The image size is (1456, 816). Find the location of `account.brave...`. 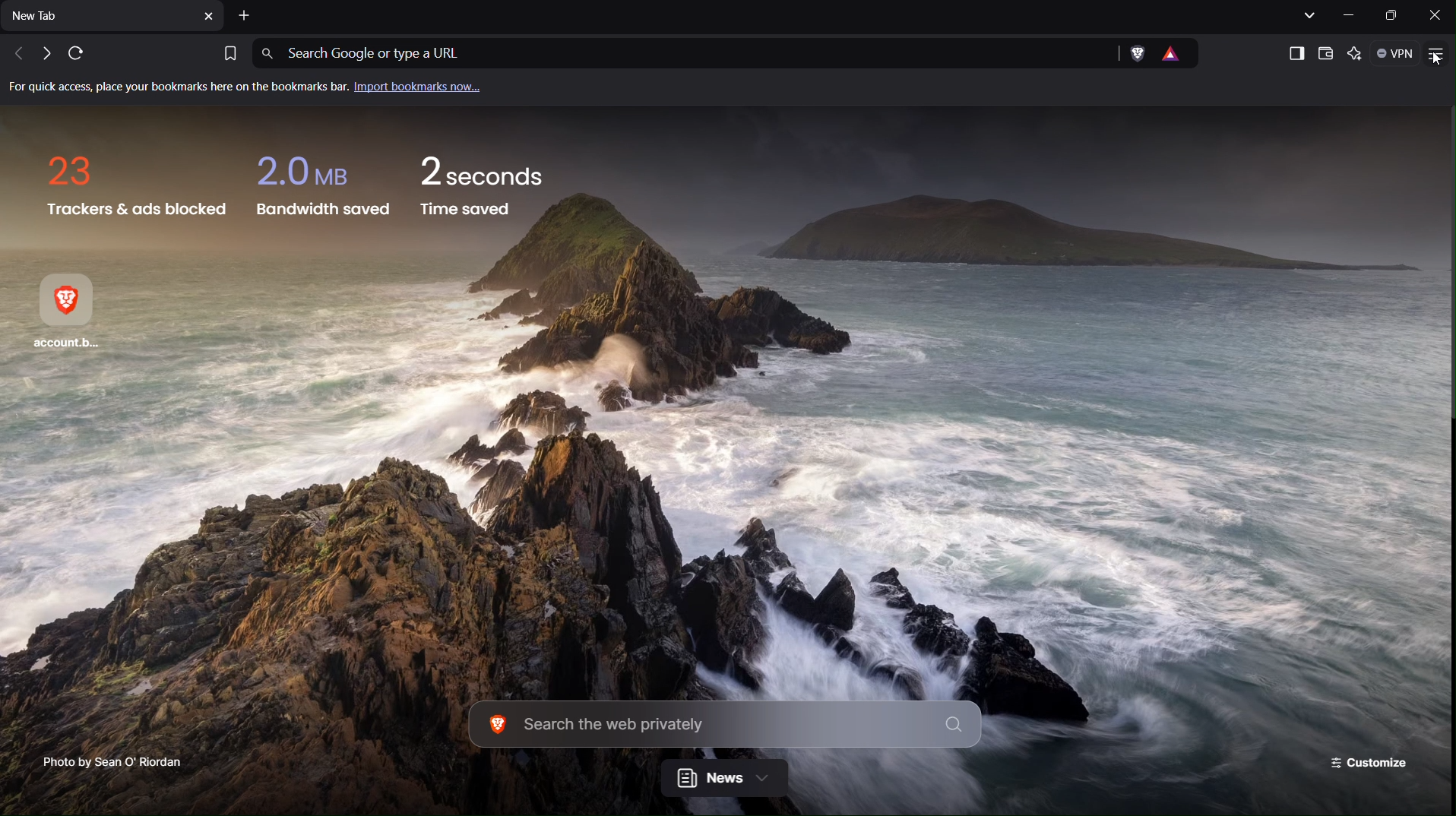

account.brave... is located at coordinates (76, 314).